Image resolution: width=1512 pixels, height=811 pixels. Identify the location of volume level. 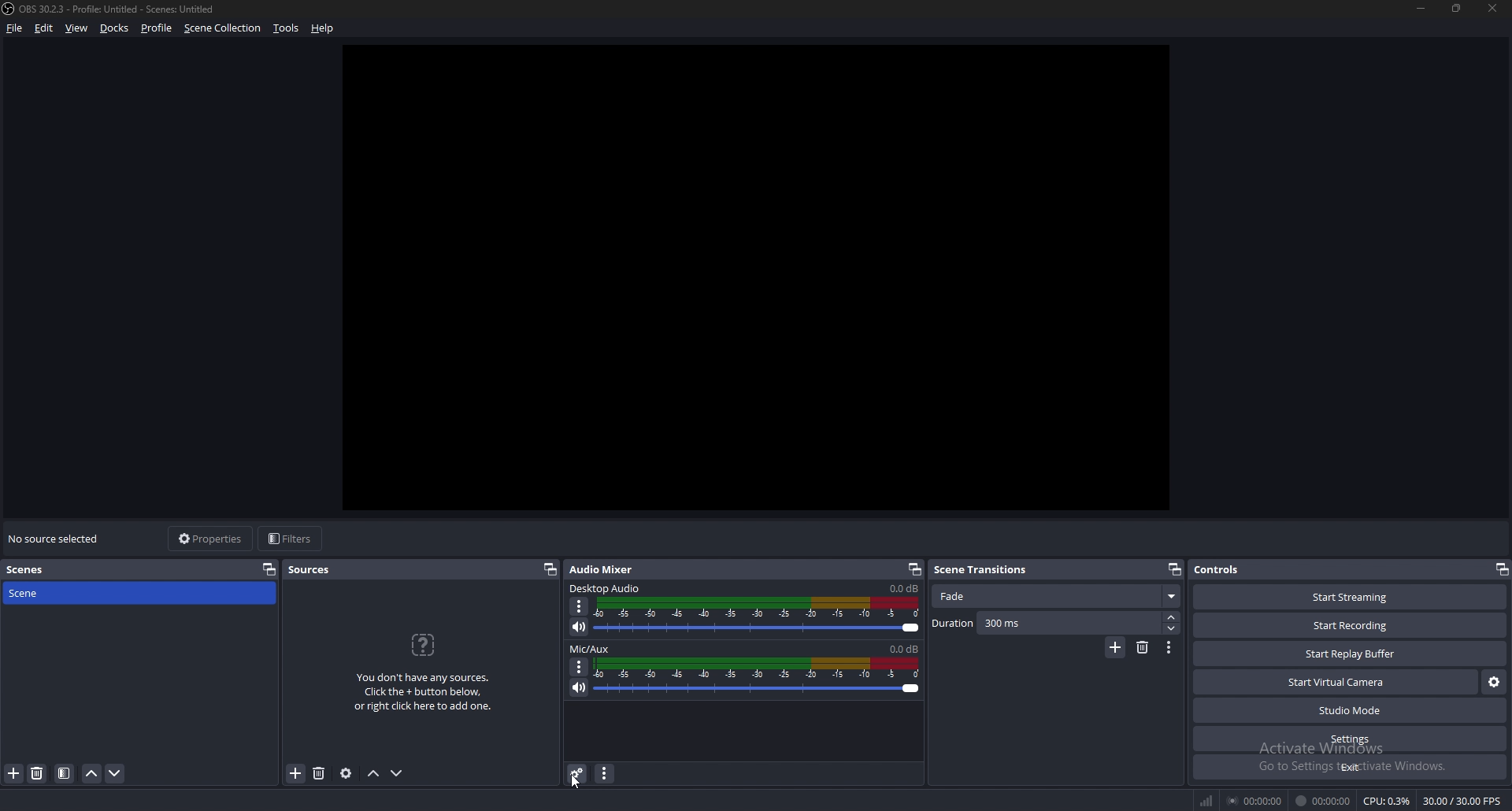
(903, 588).